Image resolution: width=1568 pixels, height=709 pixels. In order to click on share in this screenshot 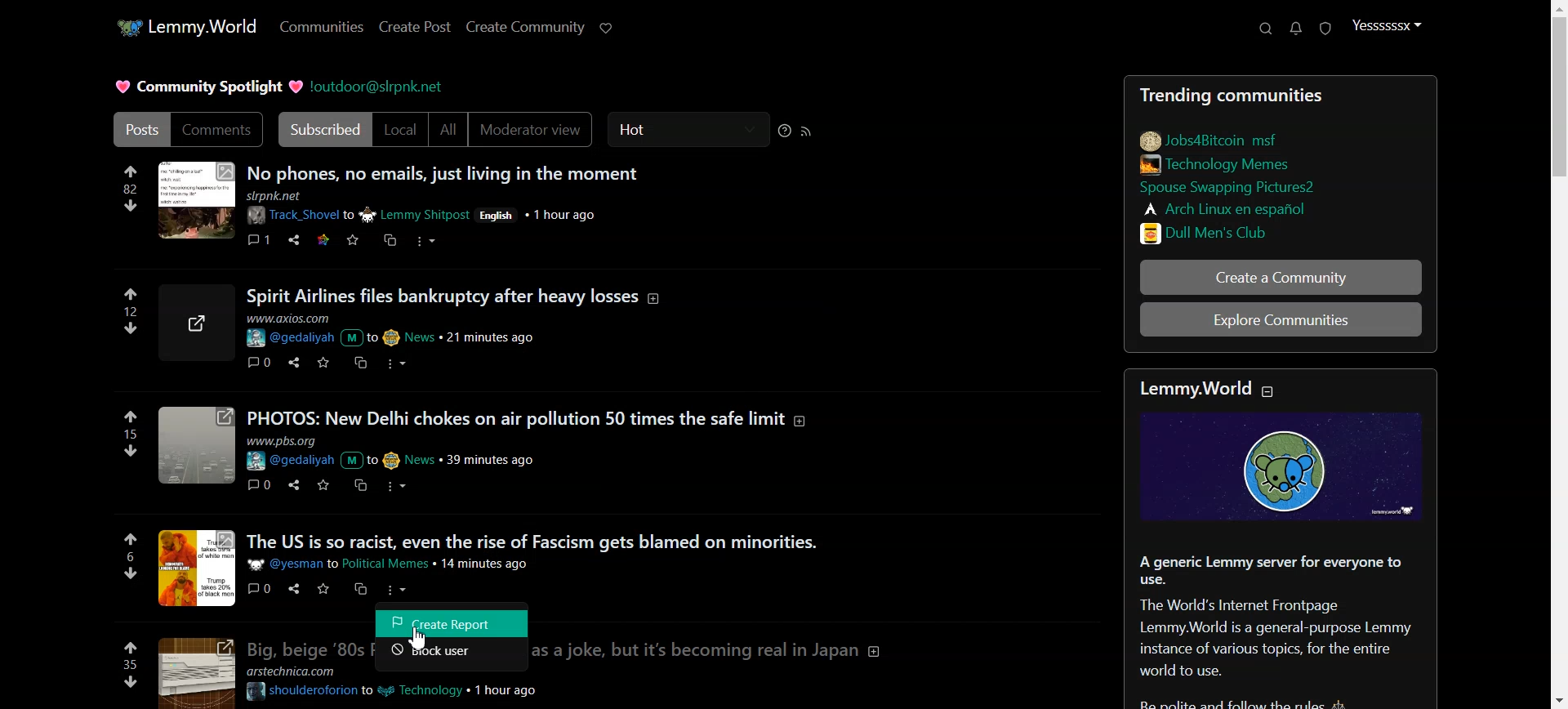, I will do `click(294, 240)`.